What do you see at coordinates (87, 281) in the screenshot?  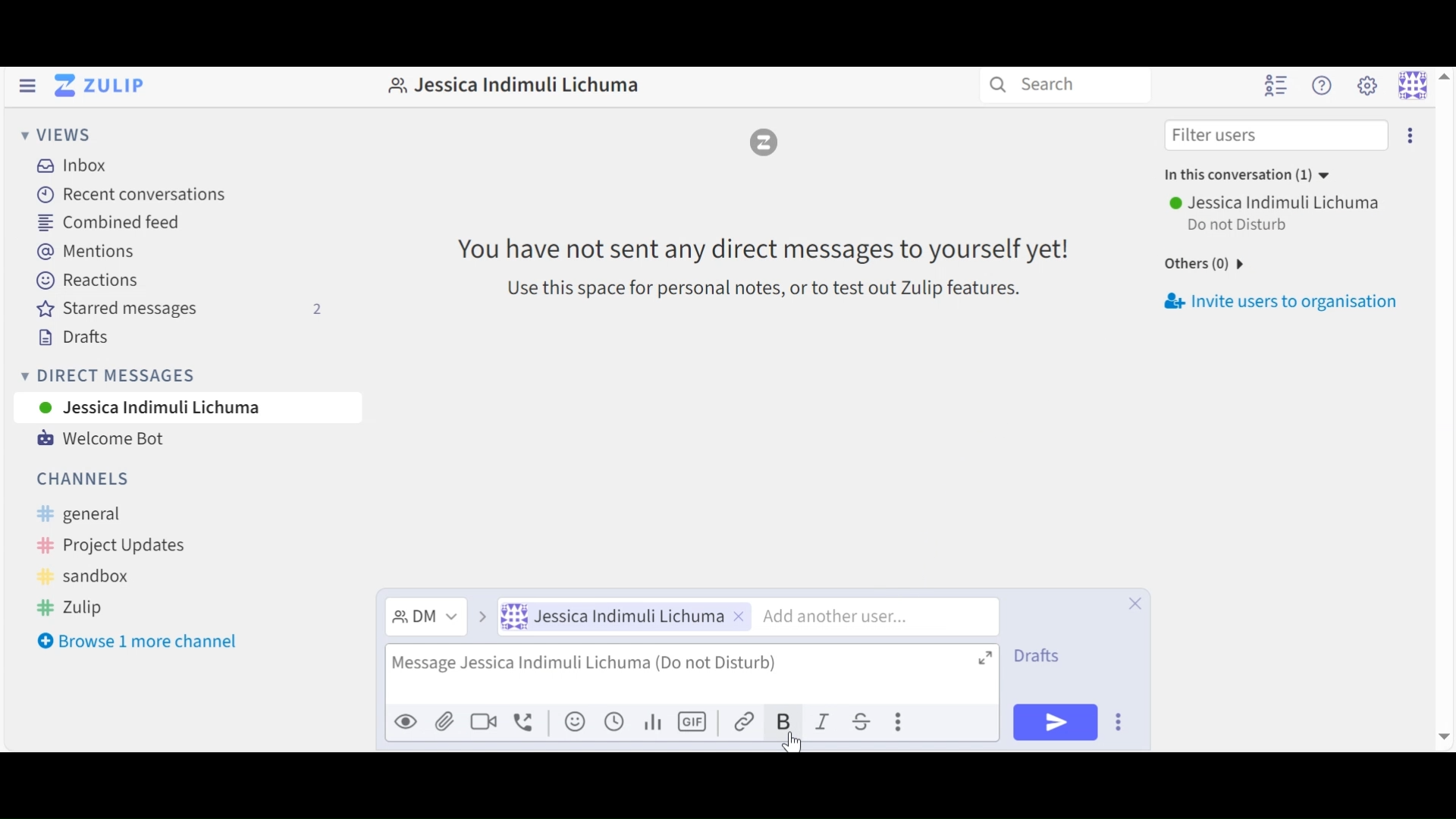 I see `Reactions` at bounding box center [87, 281].